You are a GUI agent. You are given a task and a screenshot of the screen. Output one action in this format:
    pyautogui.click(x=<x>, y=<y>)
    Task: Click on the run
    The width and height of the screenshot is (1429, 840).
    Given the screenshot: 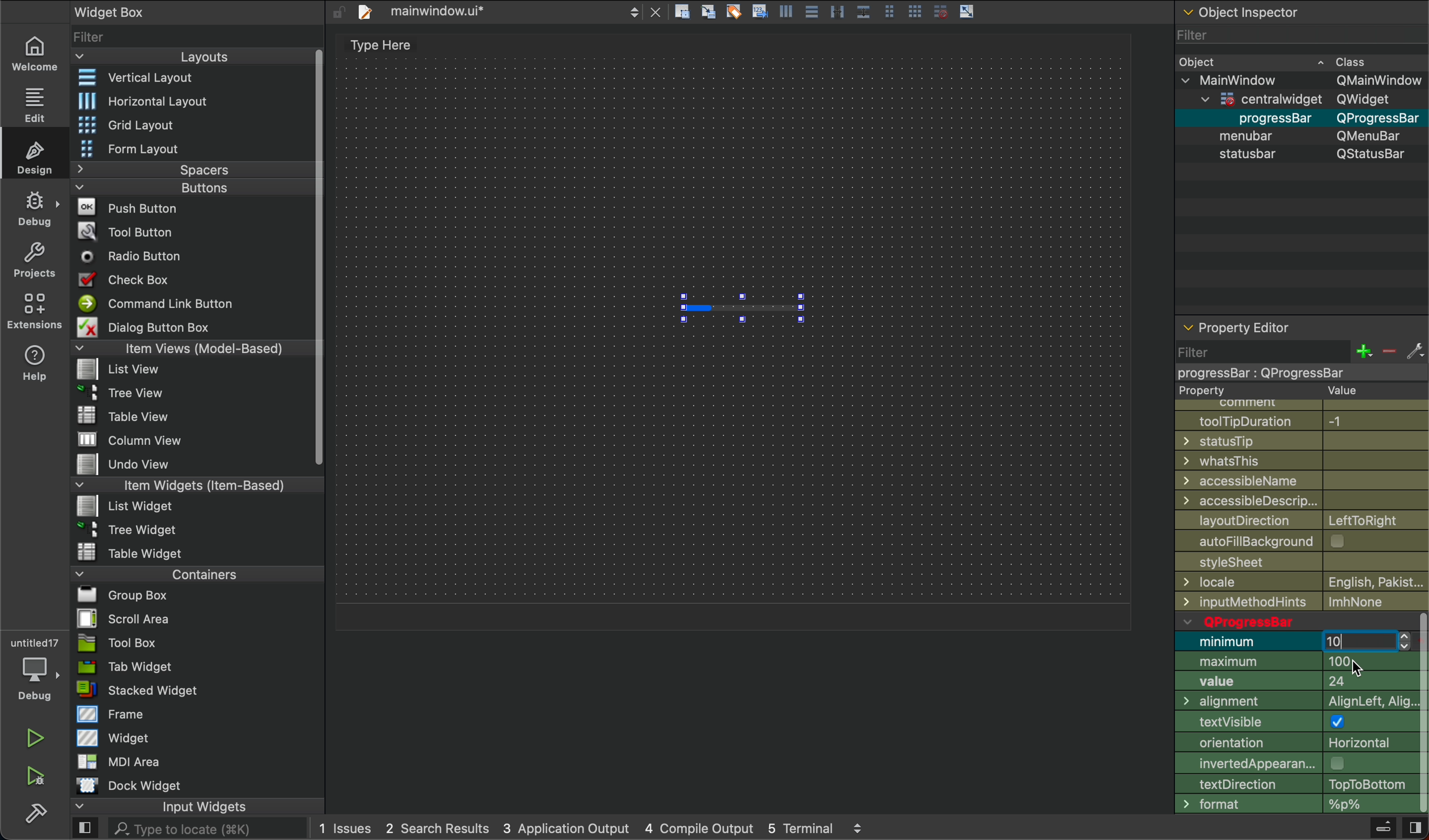 What is the action you would take?
    pyautogui.click(x=36, y=738)
    